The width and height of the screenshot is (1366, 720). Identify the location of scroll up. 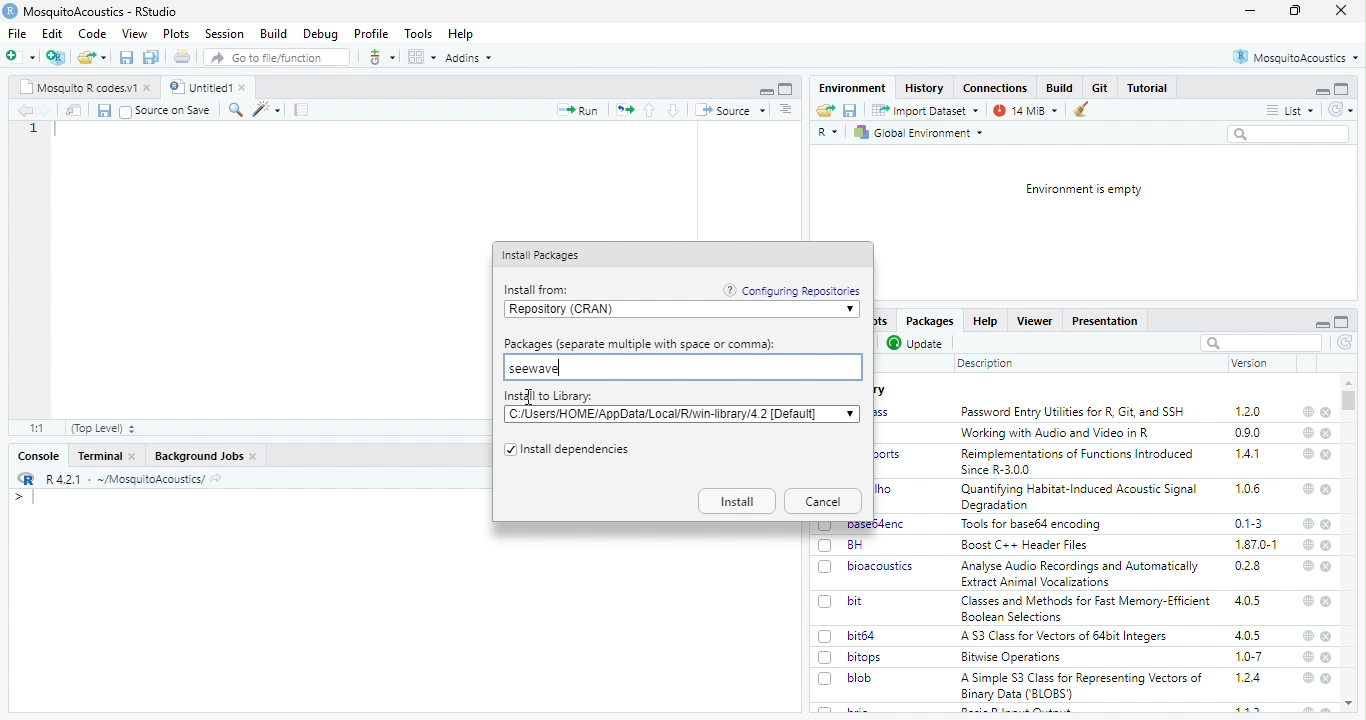
(1349, 383).